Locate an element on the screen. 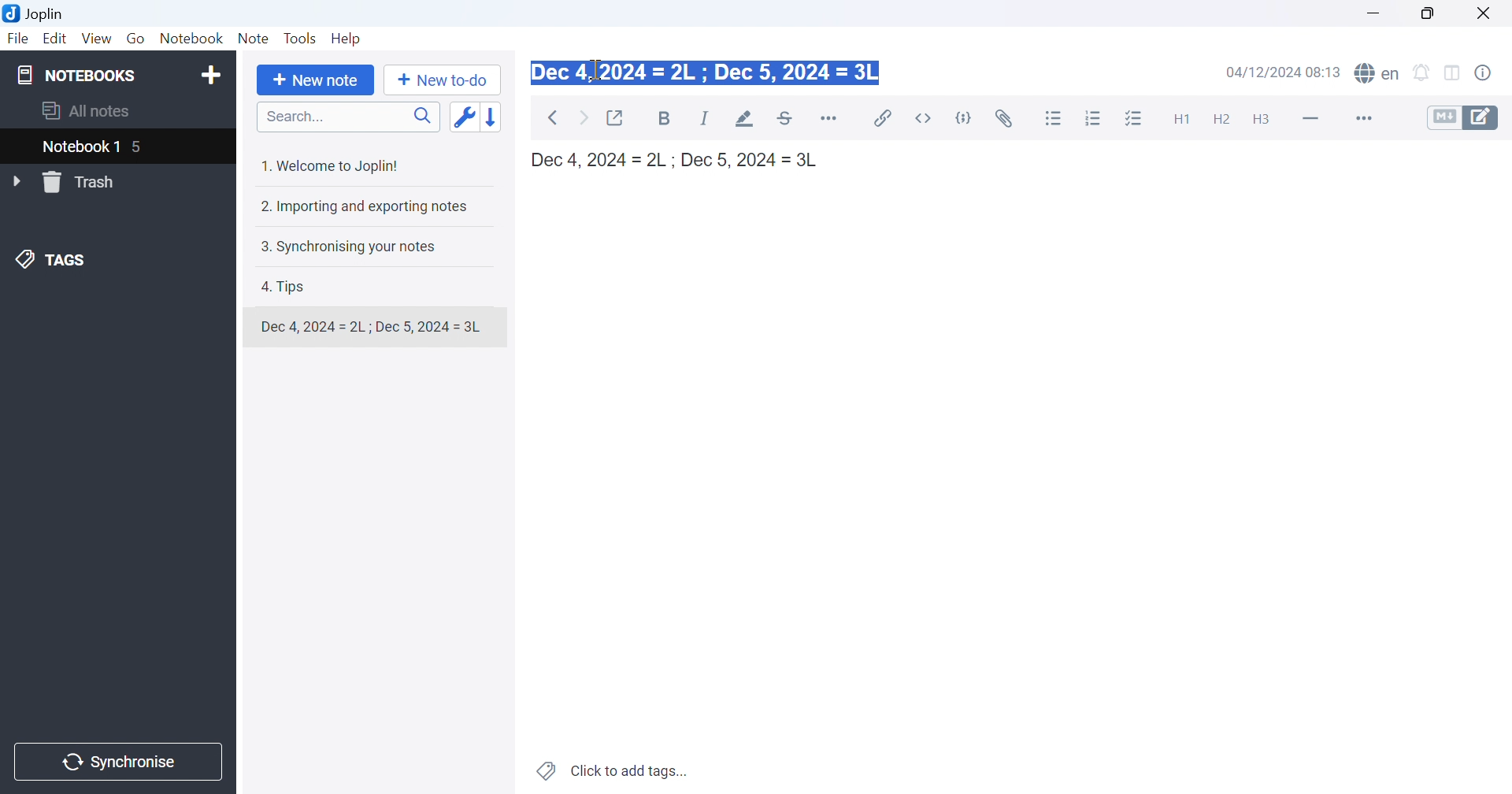 The width and height of the screenshot is (1512, 794). Toggle editors is located at coordinates (1464, 118).